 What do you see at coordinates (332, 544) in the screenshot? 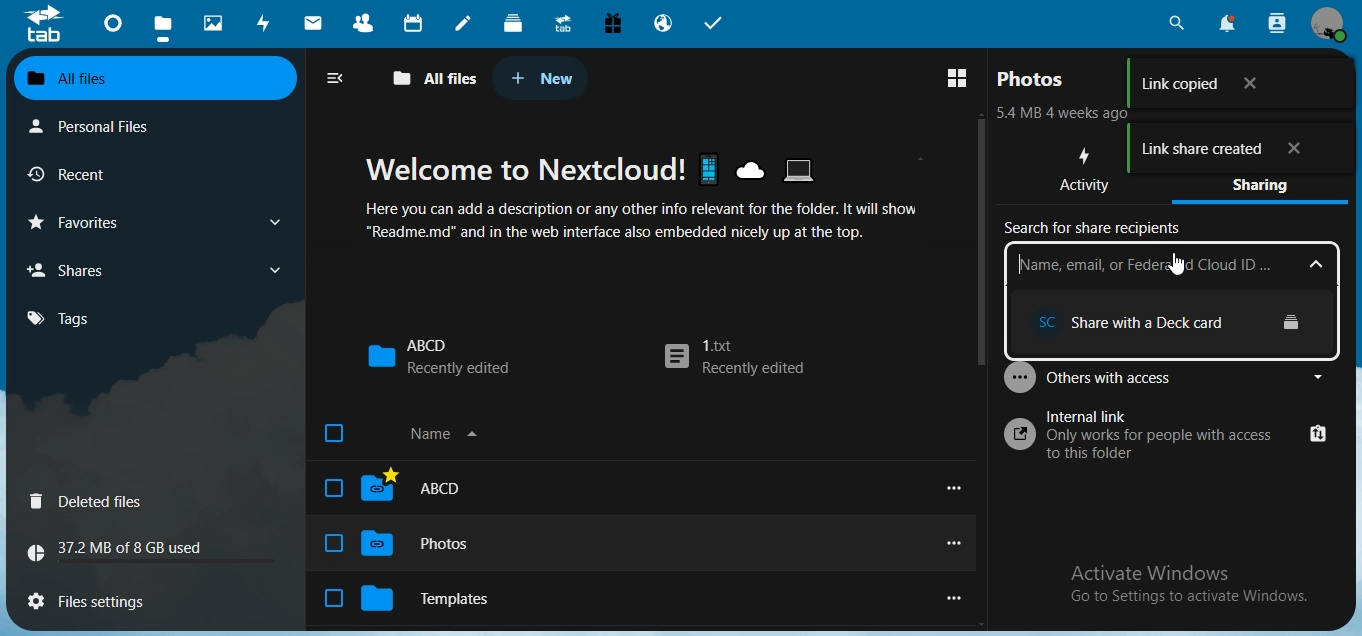
I see `check box` at bounding box center [332, 544].